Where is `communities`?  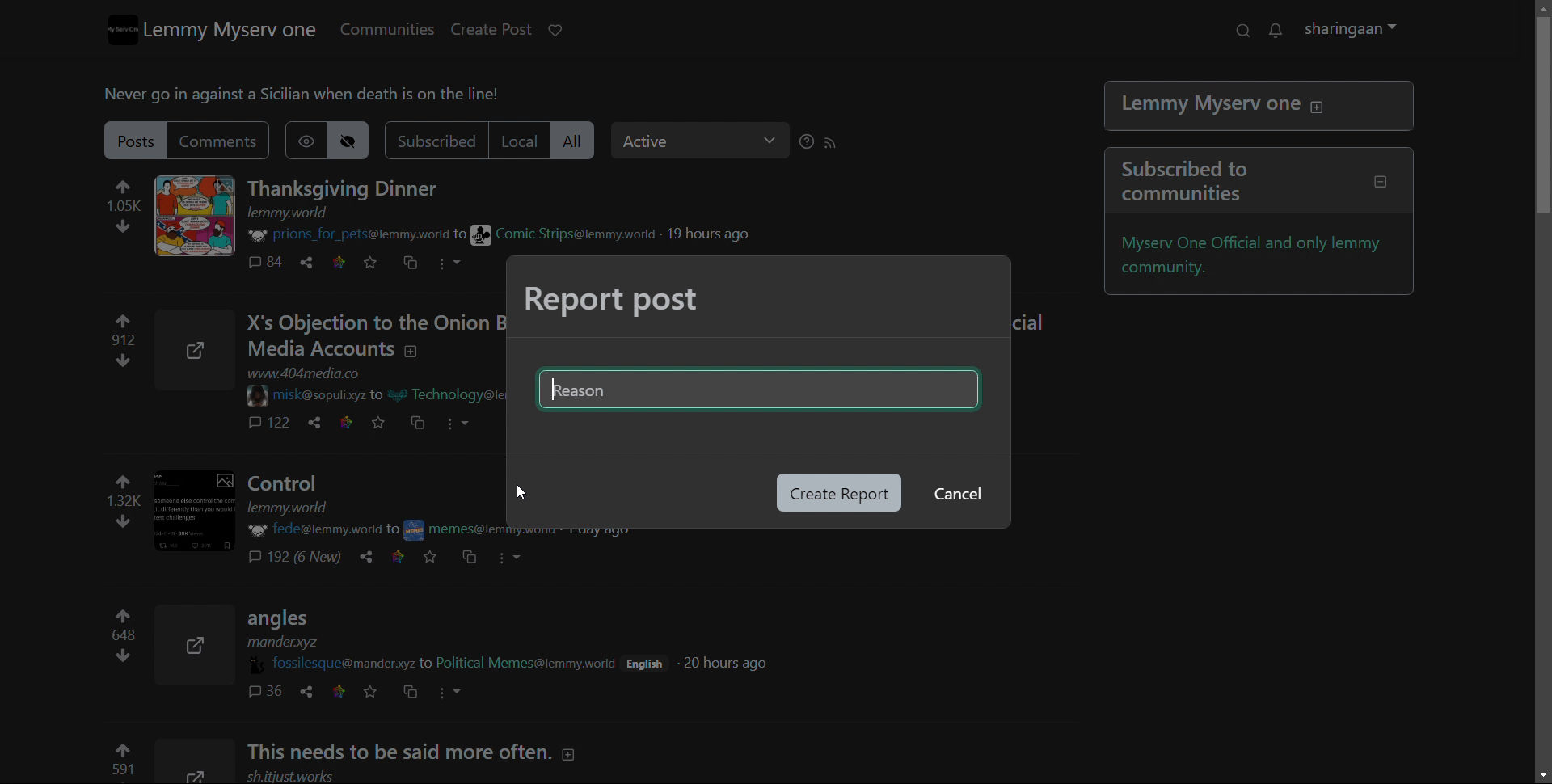
communities is located at coordinates (395, 29).